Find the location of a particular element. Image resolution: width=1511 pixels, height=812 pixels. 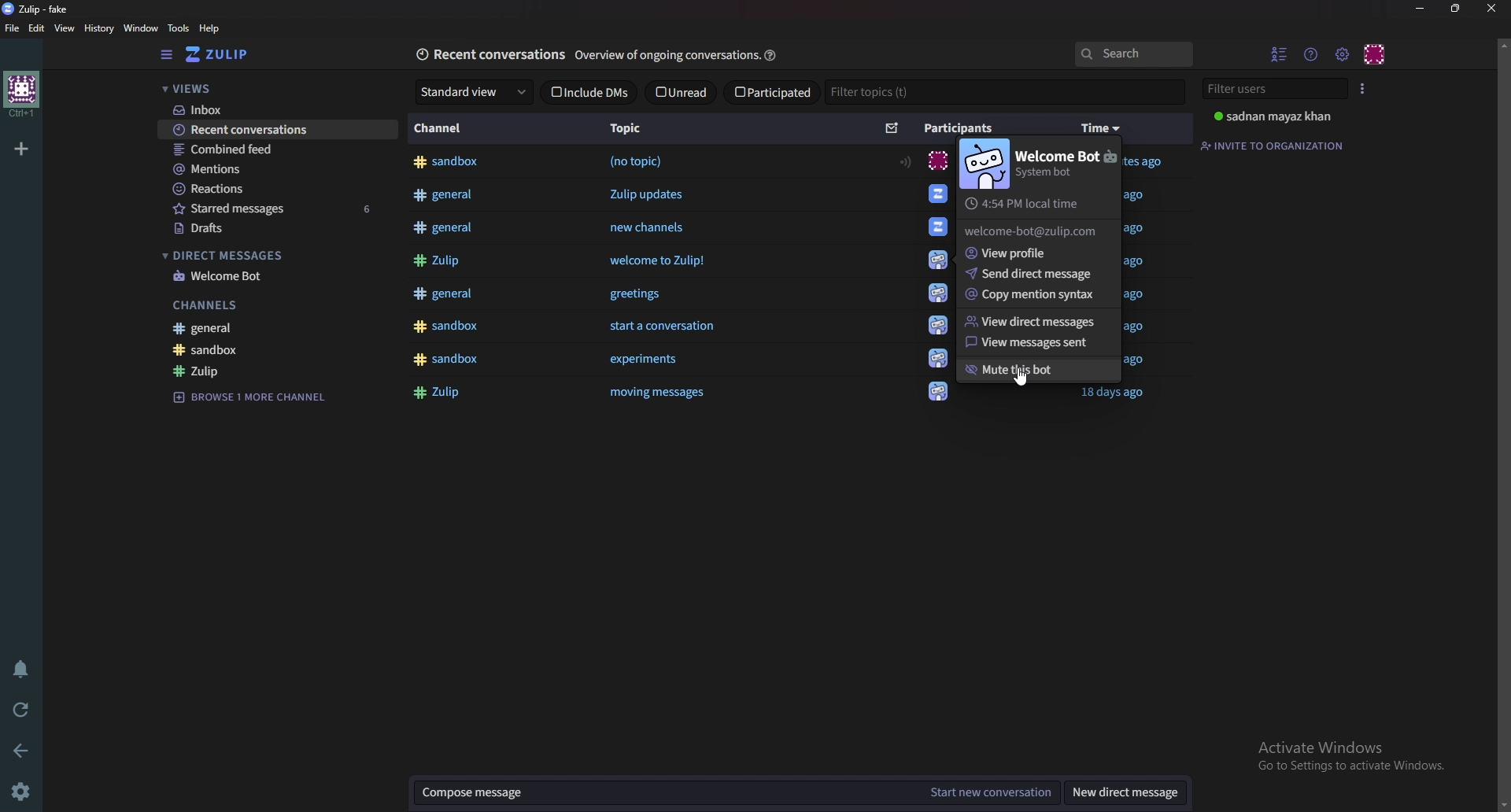

sandbox is located at coordinates (276, 348).